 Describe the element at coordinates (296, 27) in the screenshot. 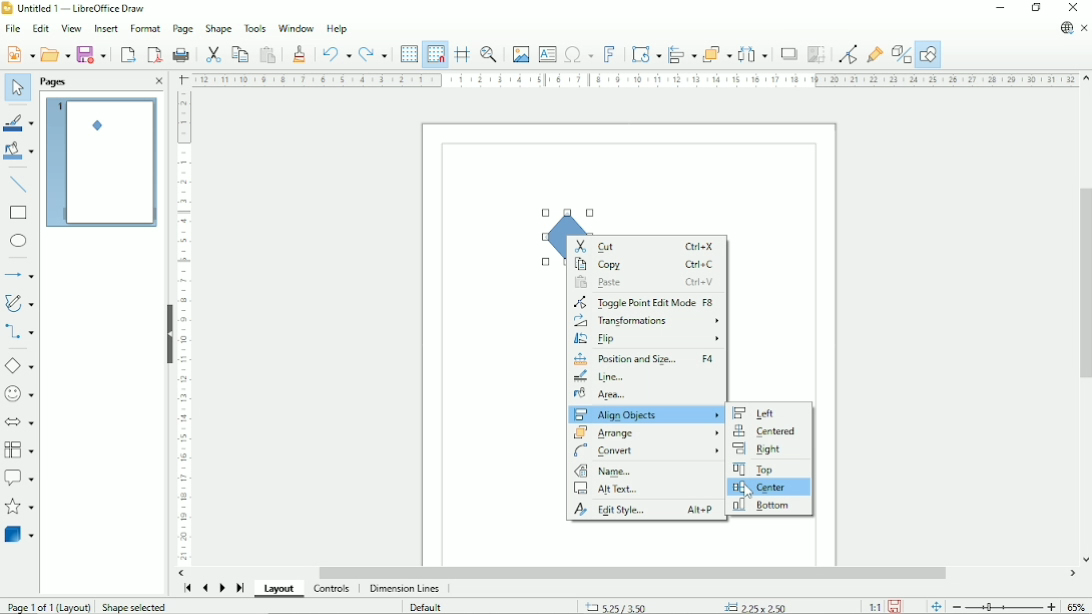

I see `Window` at that location.